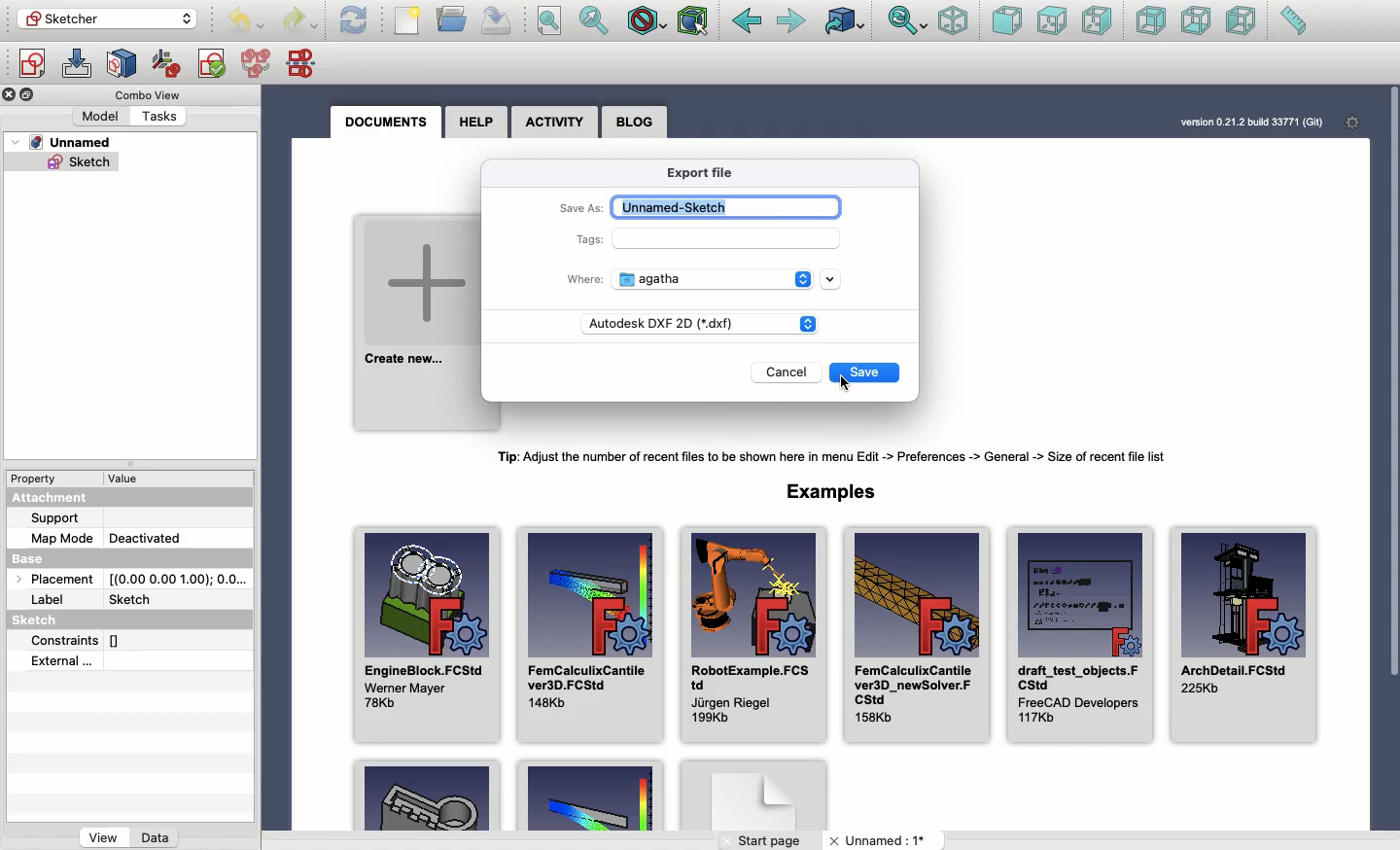 The width and height of the screenshot is (1400, 850). Describe the element at coordinates (586, 278) in the screenshot. I see `Where` at that location.